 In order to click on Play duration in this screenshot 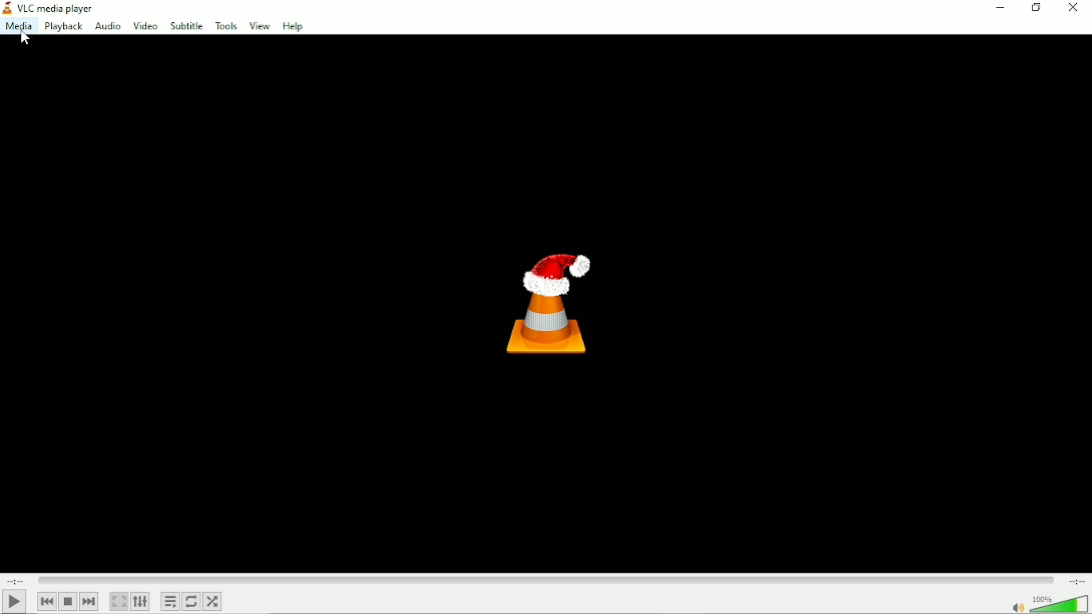, I will do `click(546, 580)`.